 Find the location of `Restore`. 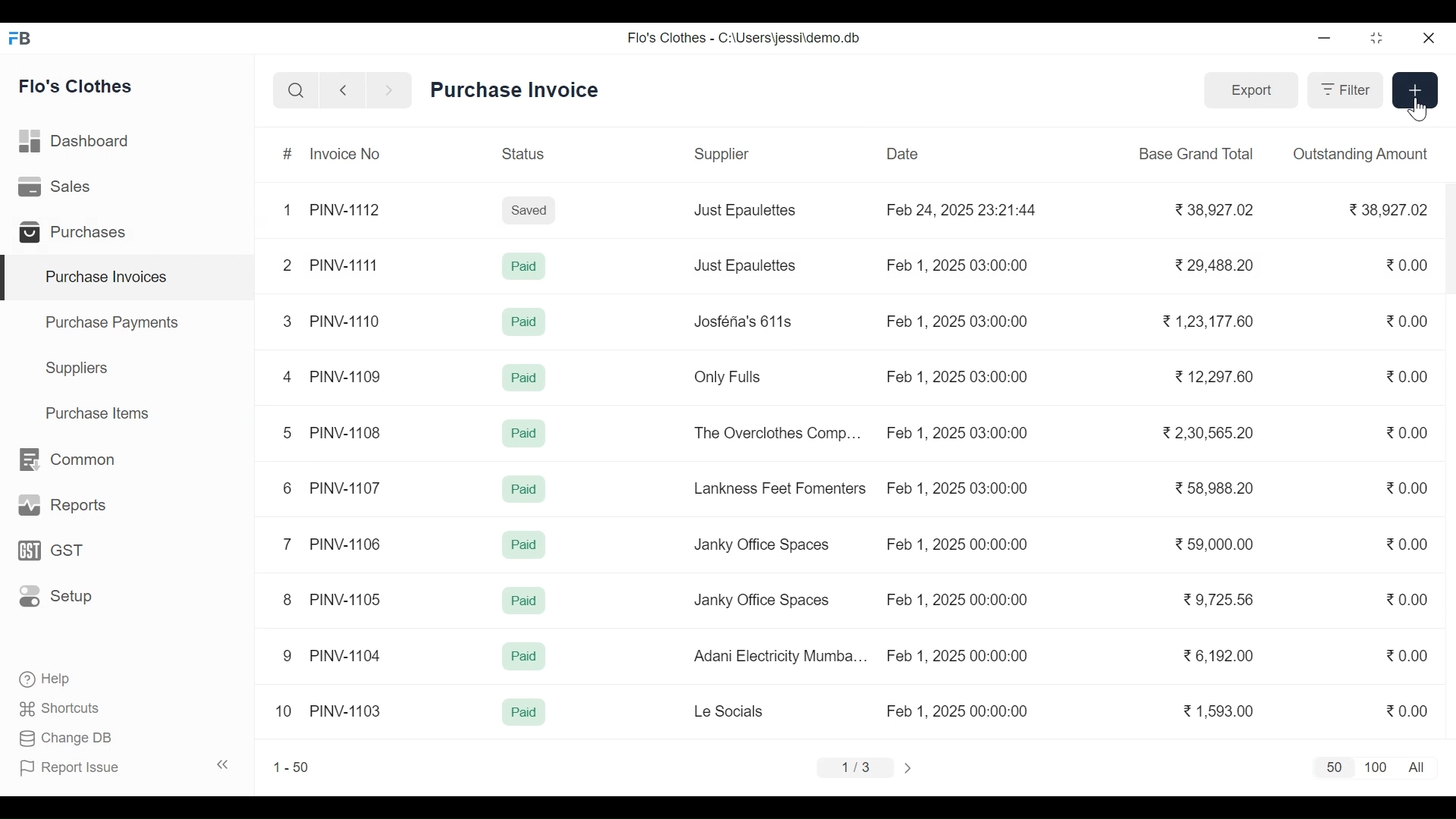

Restore is located at coordinates (1376, 39).